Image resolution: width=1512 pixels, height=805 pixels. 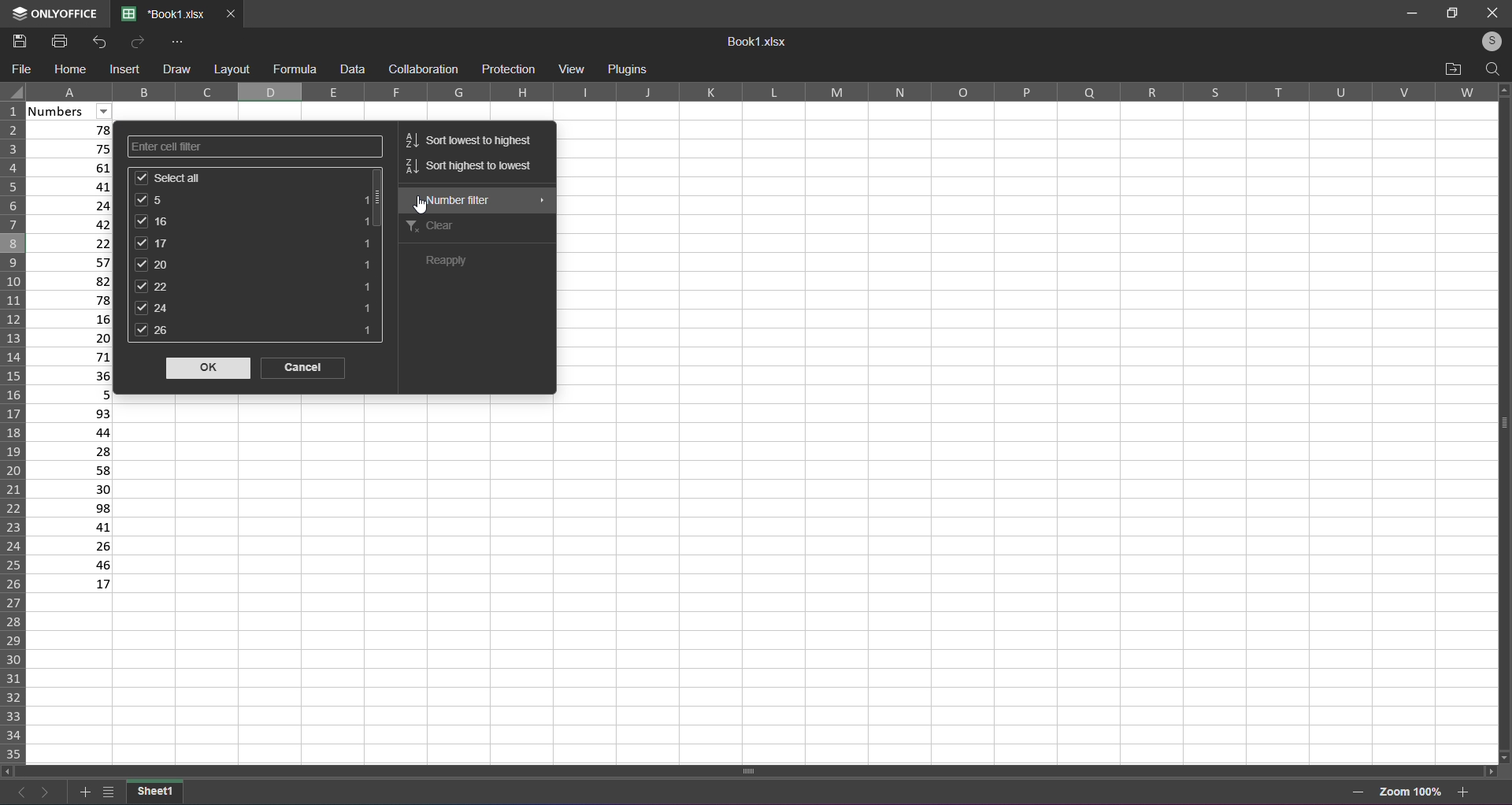 What do you see at coordinates (127, 70) in the screenshot?
I see `insert` at bounding box center [127, 70].